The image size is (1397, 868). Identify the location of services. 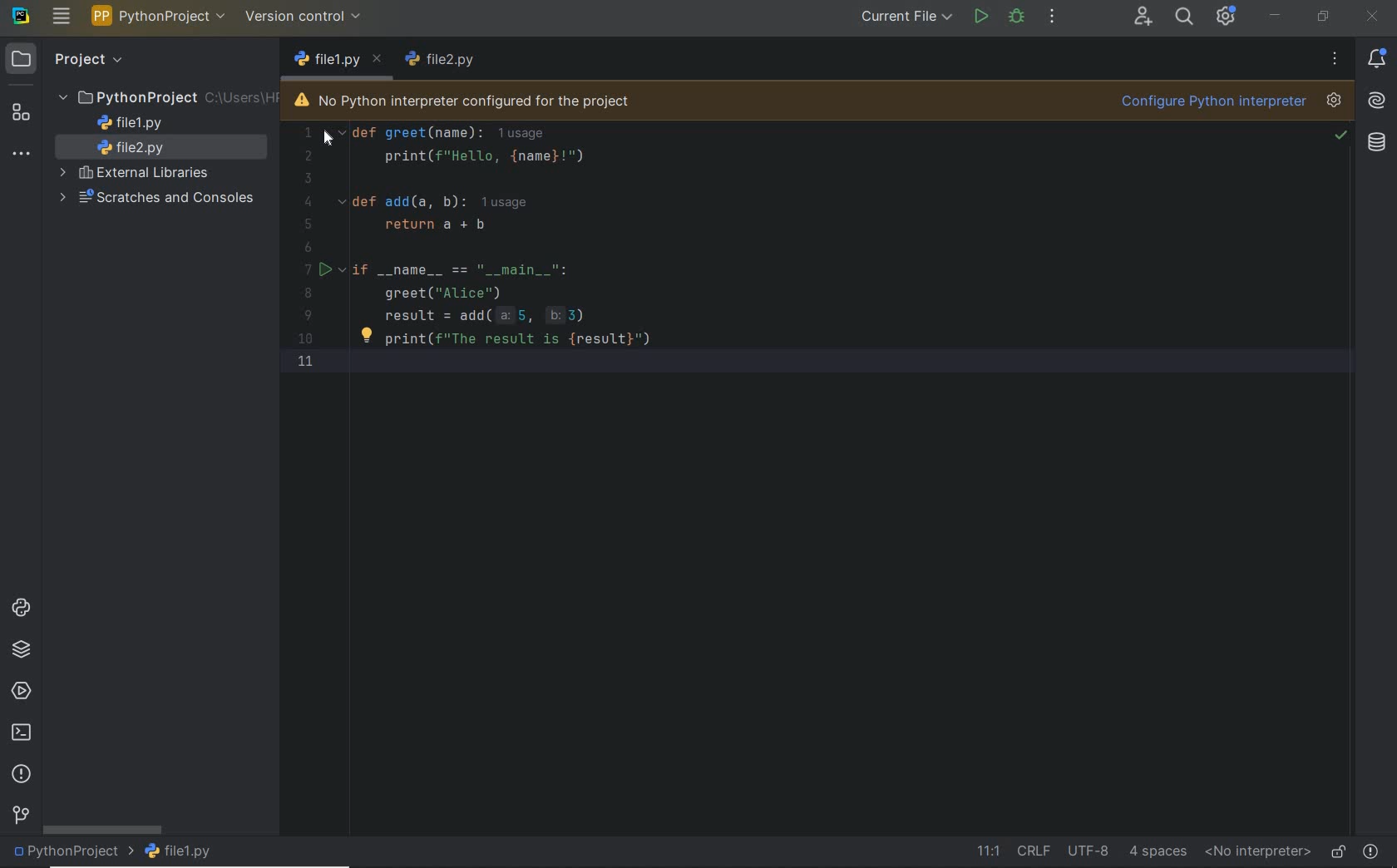
(19, 693).